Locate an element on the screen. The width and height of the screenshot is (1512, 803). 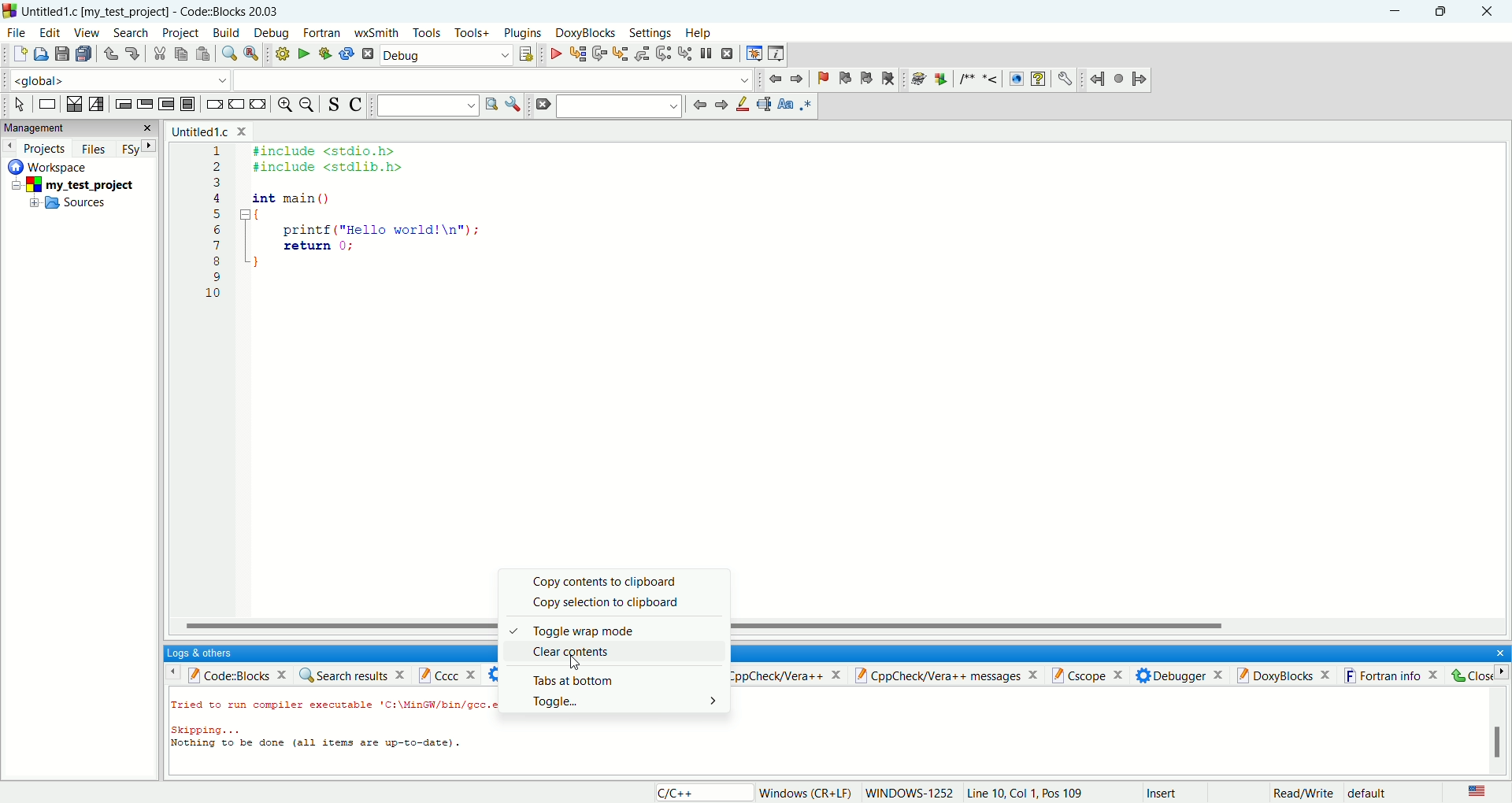
clear content is located at coordinates (616, 653).